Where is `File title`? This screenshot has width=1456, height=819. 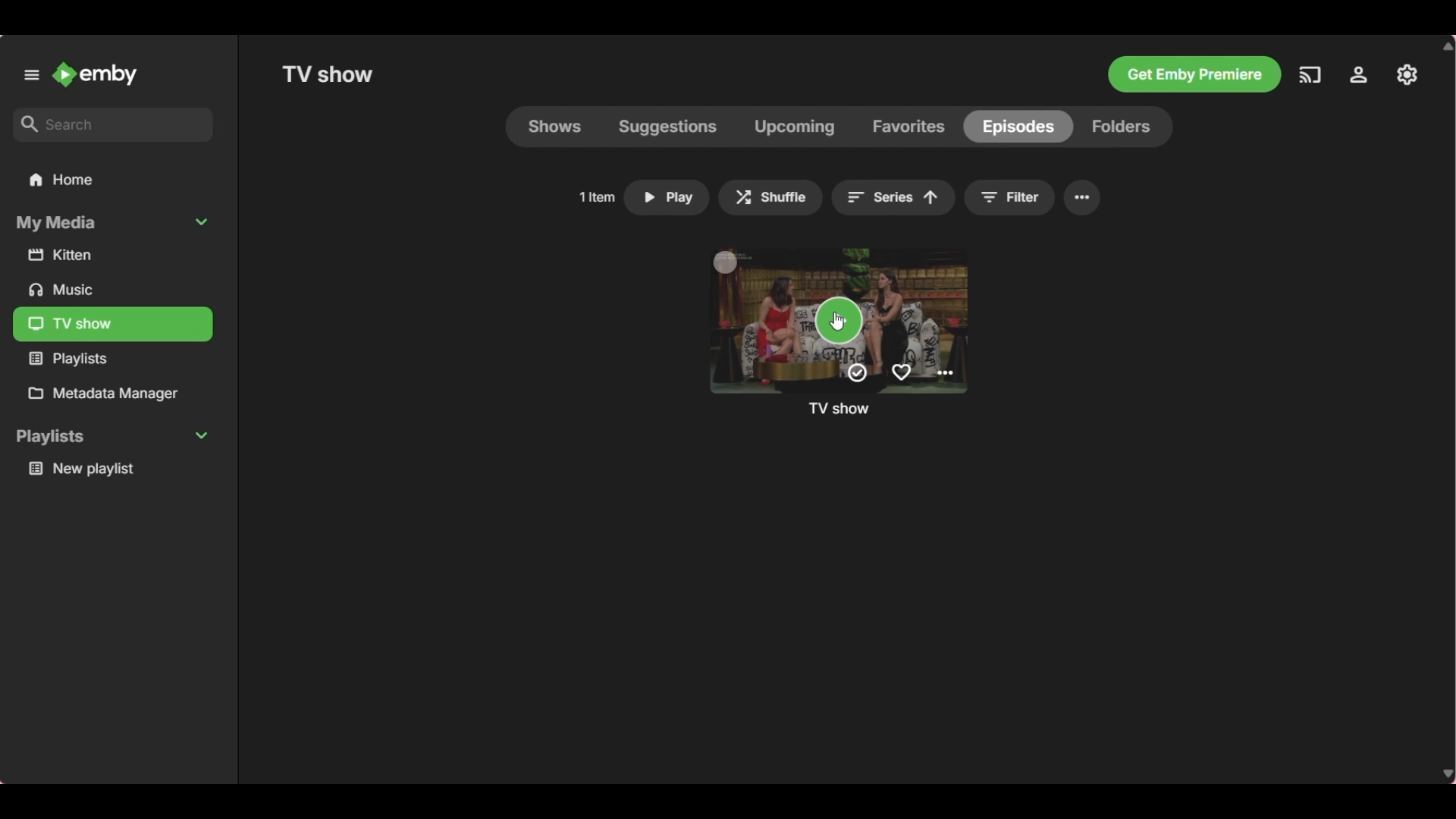 File title is located at coordinates (839, 409).